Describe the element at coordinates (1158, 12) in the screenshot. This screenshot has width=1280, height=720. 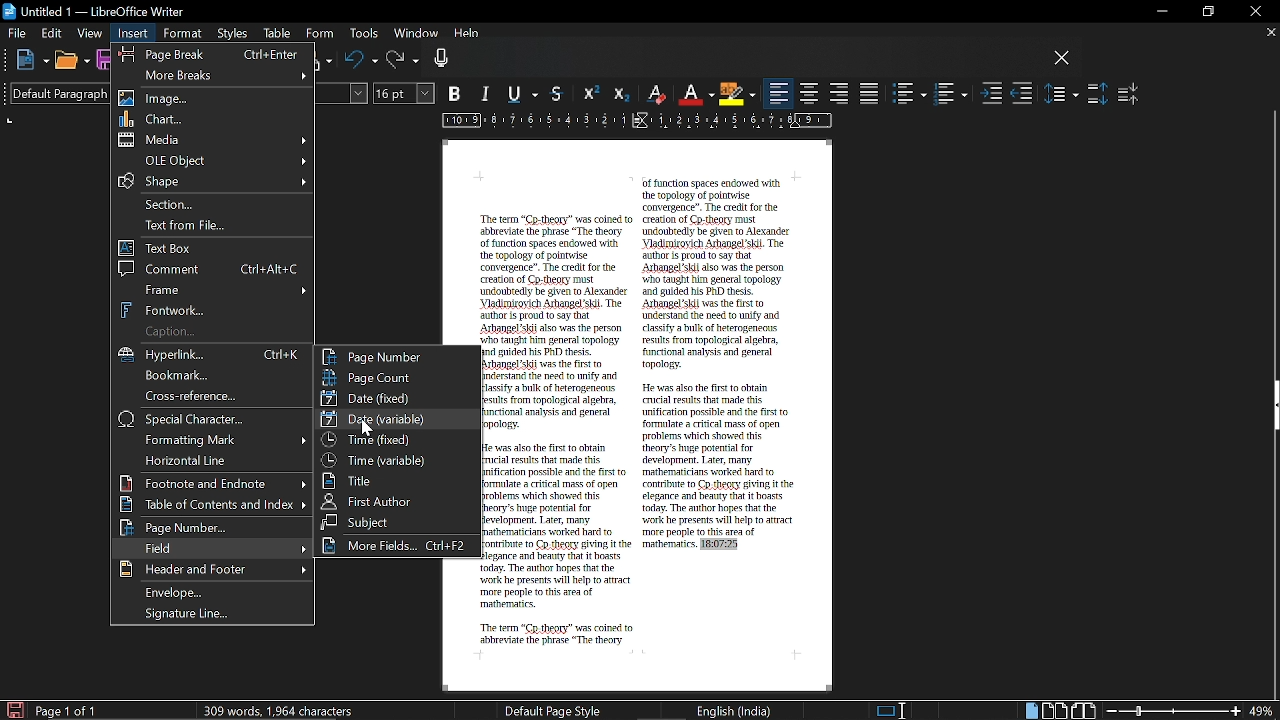
I see `Minimize` at that location.